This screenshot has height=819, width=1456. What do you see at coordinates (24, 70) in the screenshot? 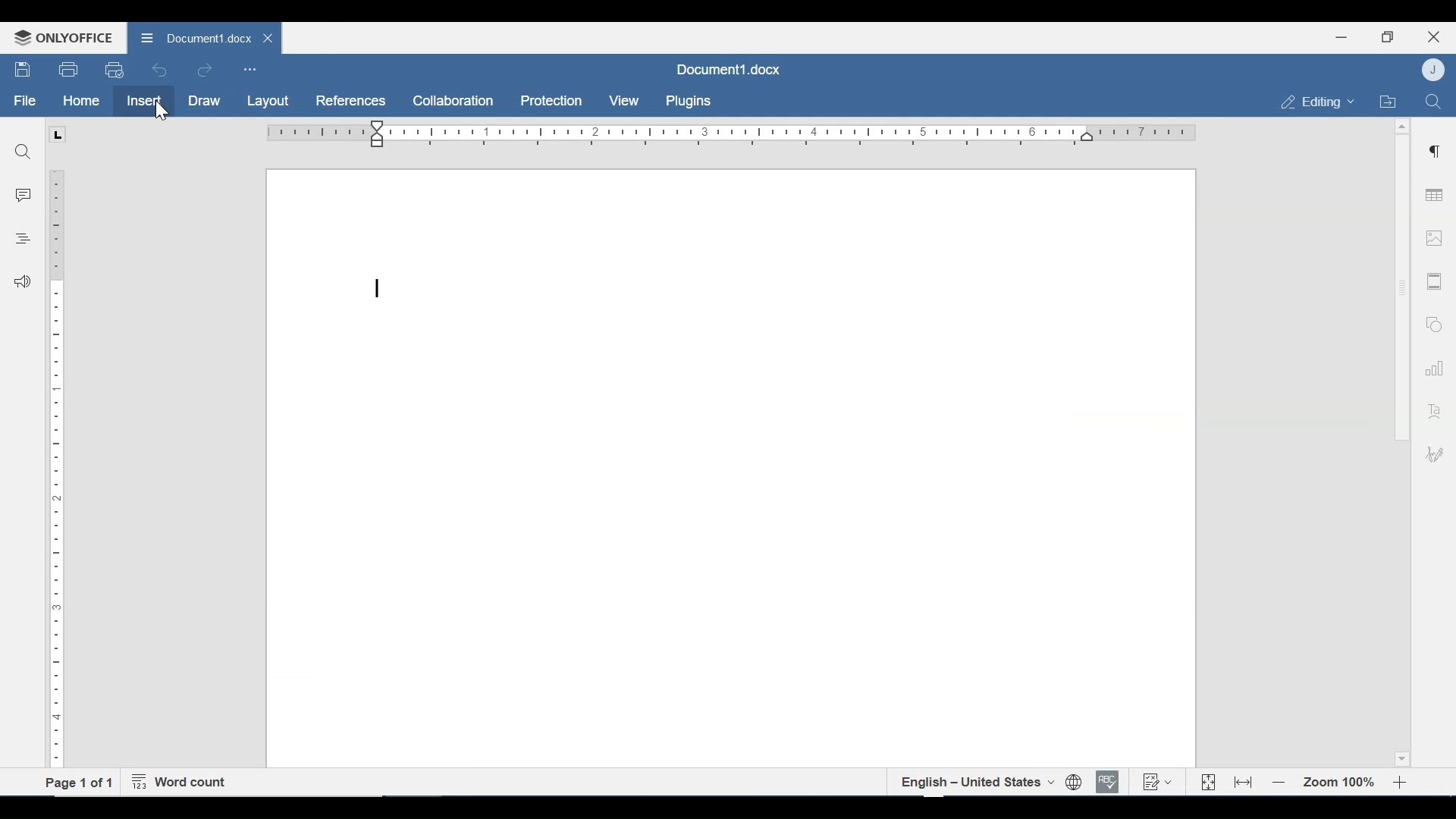
I see `Save` at bounding box center [24, 70].